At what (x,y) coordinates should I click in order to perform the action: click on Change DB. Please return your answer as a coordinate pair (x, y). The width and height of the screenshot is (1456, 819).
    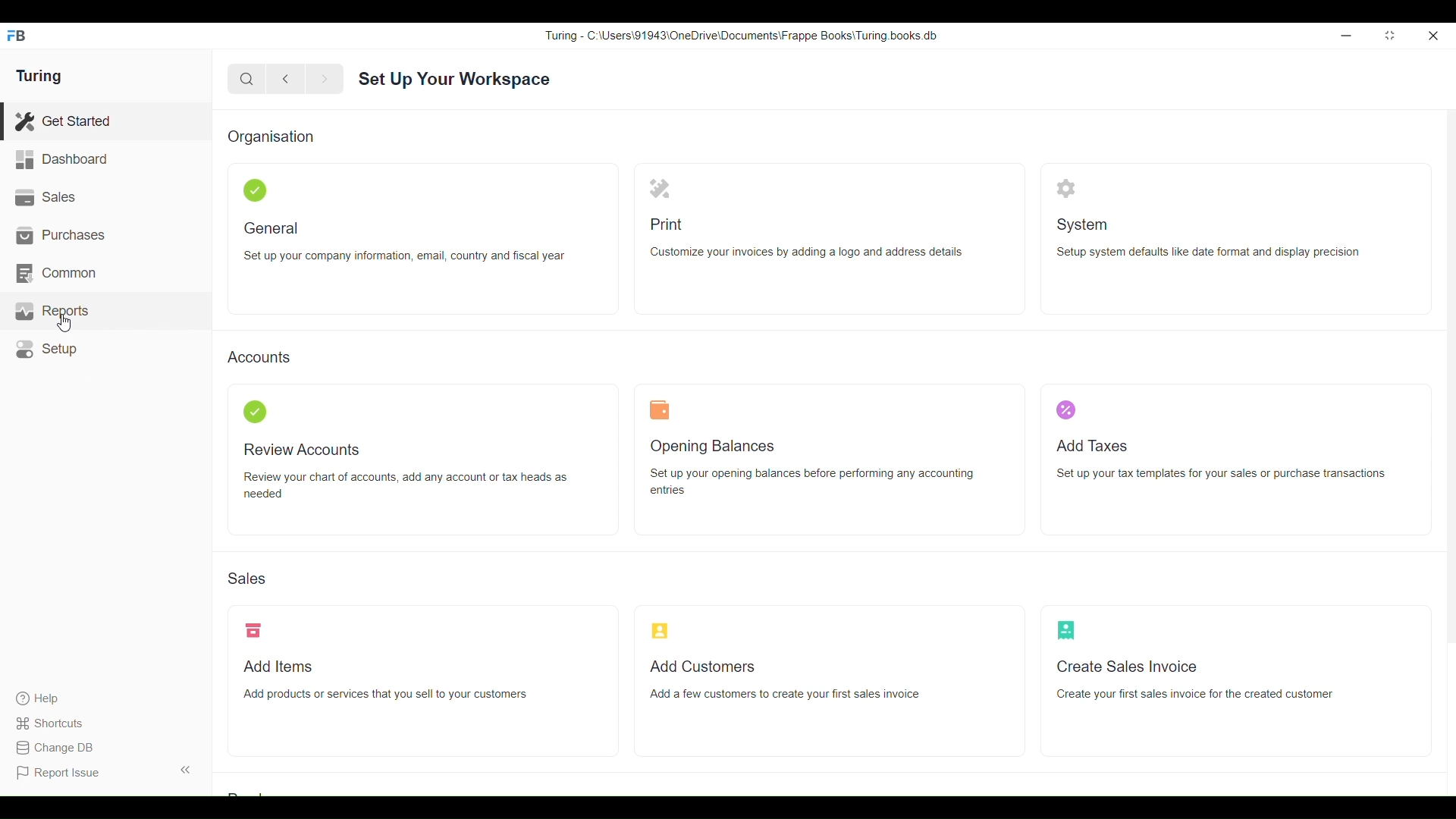
    Looking at the image, I should click on (54, 748).